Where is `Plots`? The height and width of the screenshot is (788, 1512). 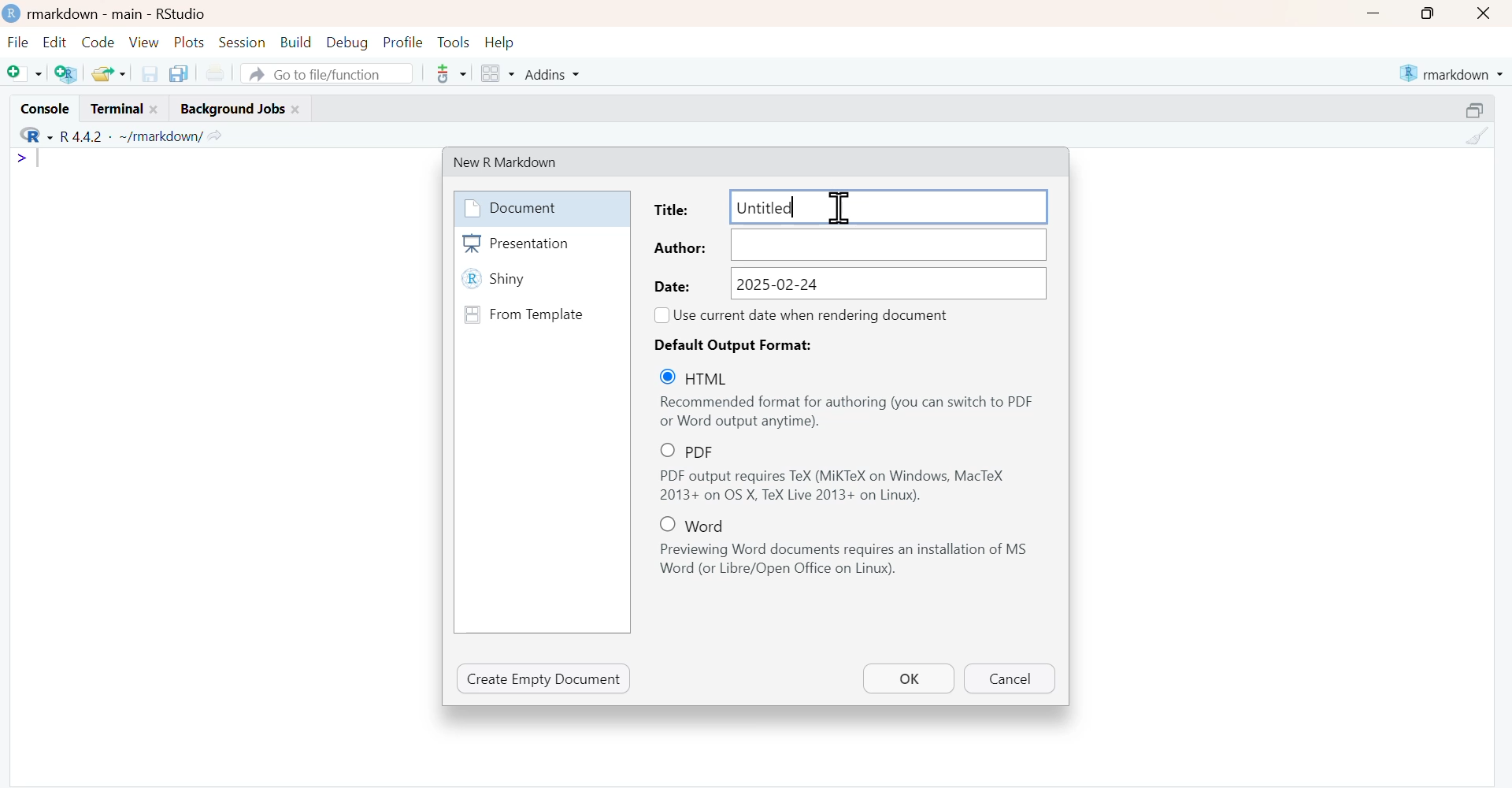
Plots is located at coordinates (191, 43).